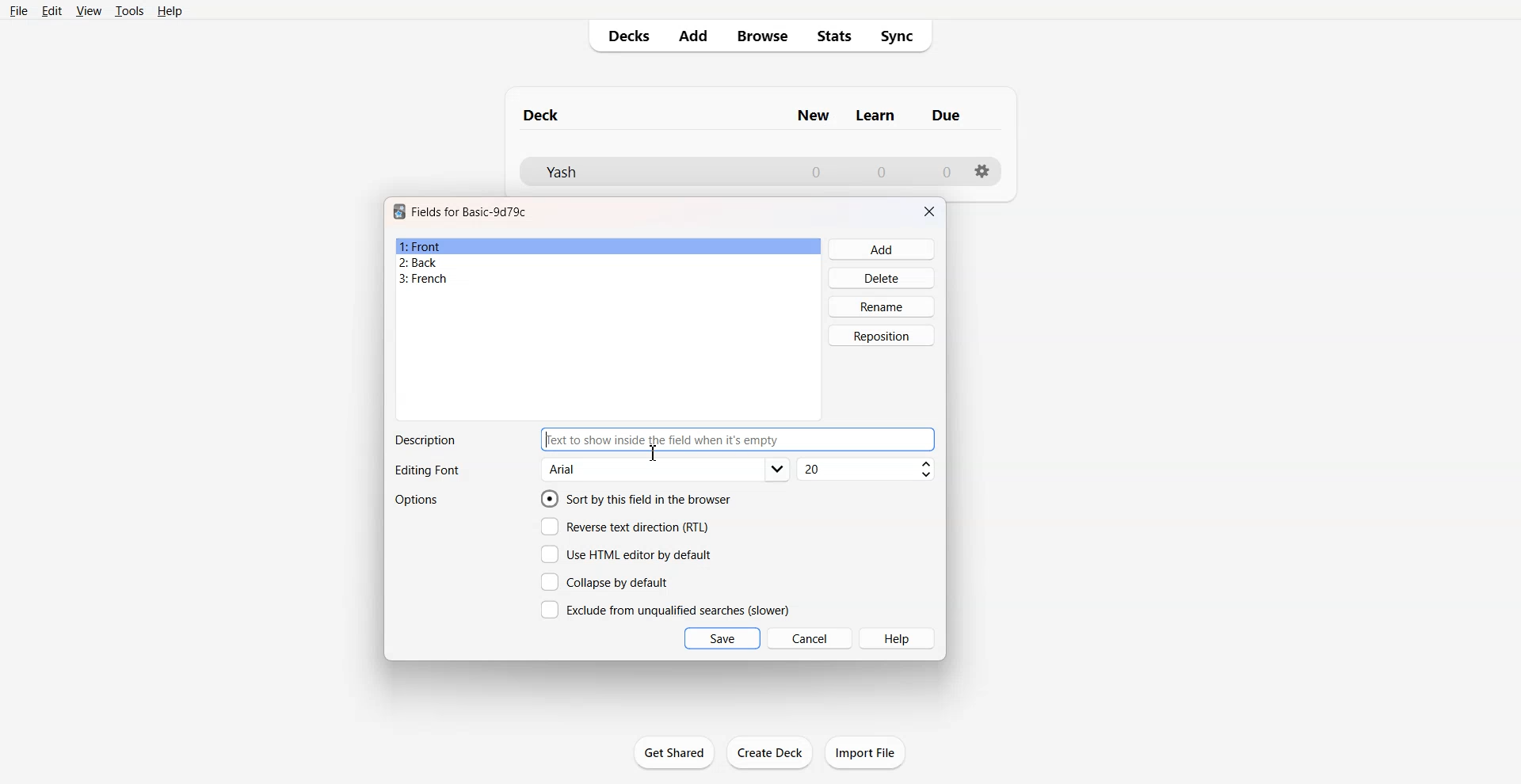 The width and height of the screenshot is (1521, 784). I want to click on Save, so click(722, 638).